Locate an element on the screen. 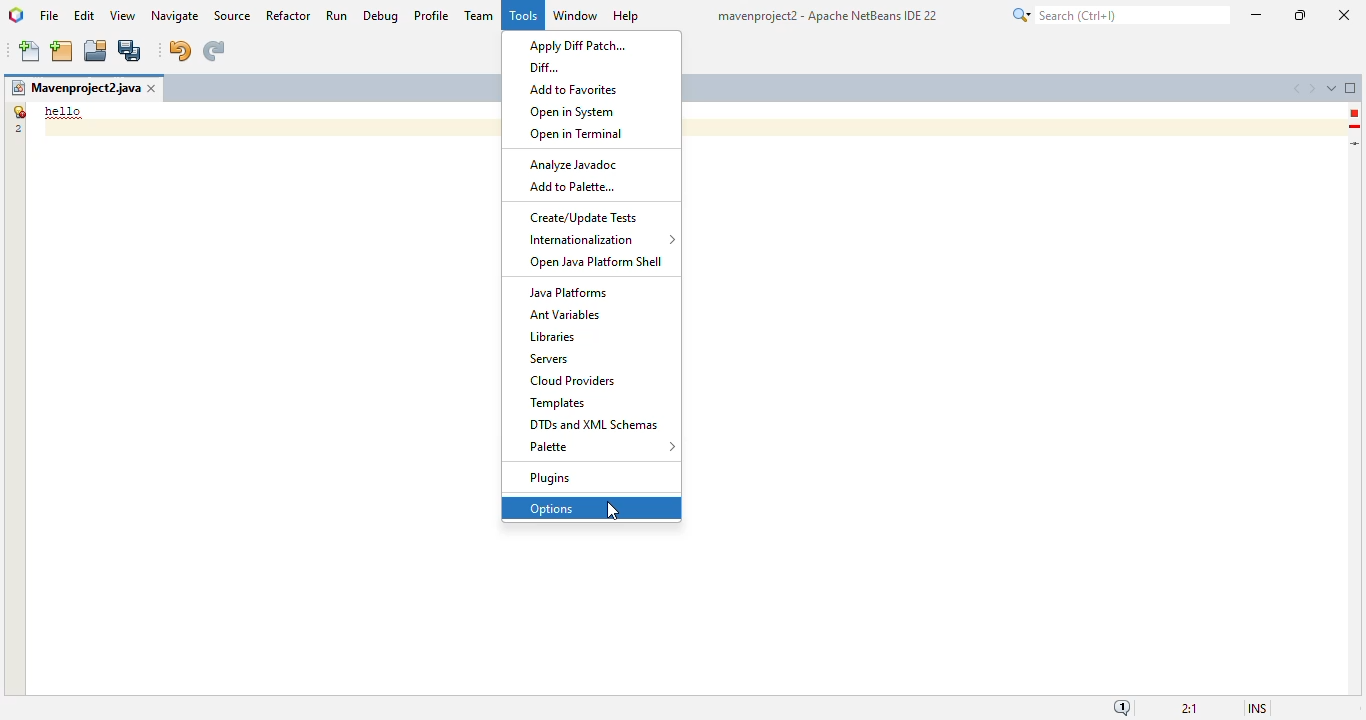 The width and height of the screenshot is (1366, 720). diff is located at coordinates (542, 67).